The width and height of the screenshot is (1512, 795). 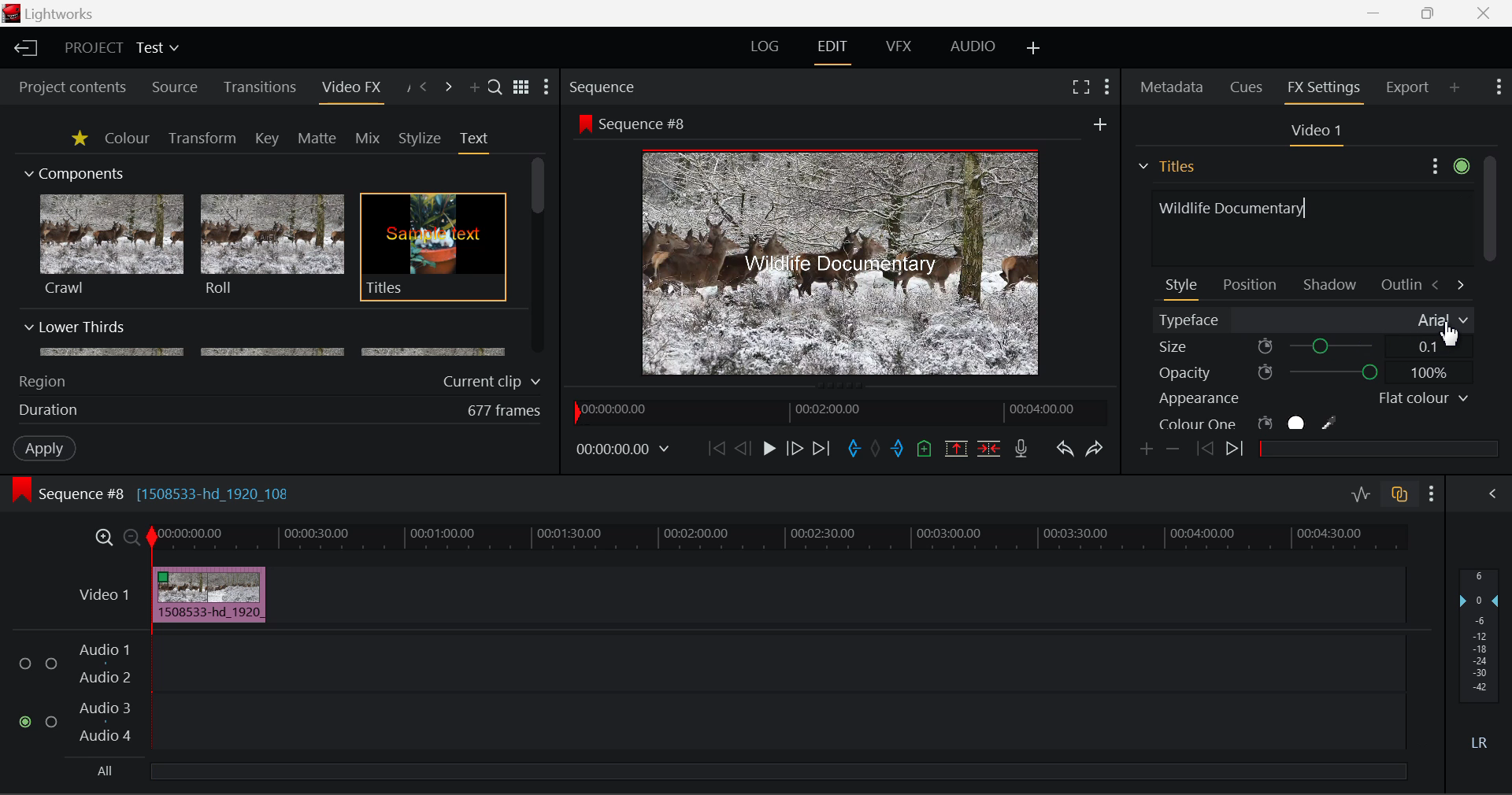 I want to click on Outline, so click(x=1399, y=283).